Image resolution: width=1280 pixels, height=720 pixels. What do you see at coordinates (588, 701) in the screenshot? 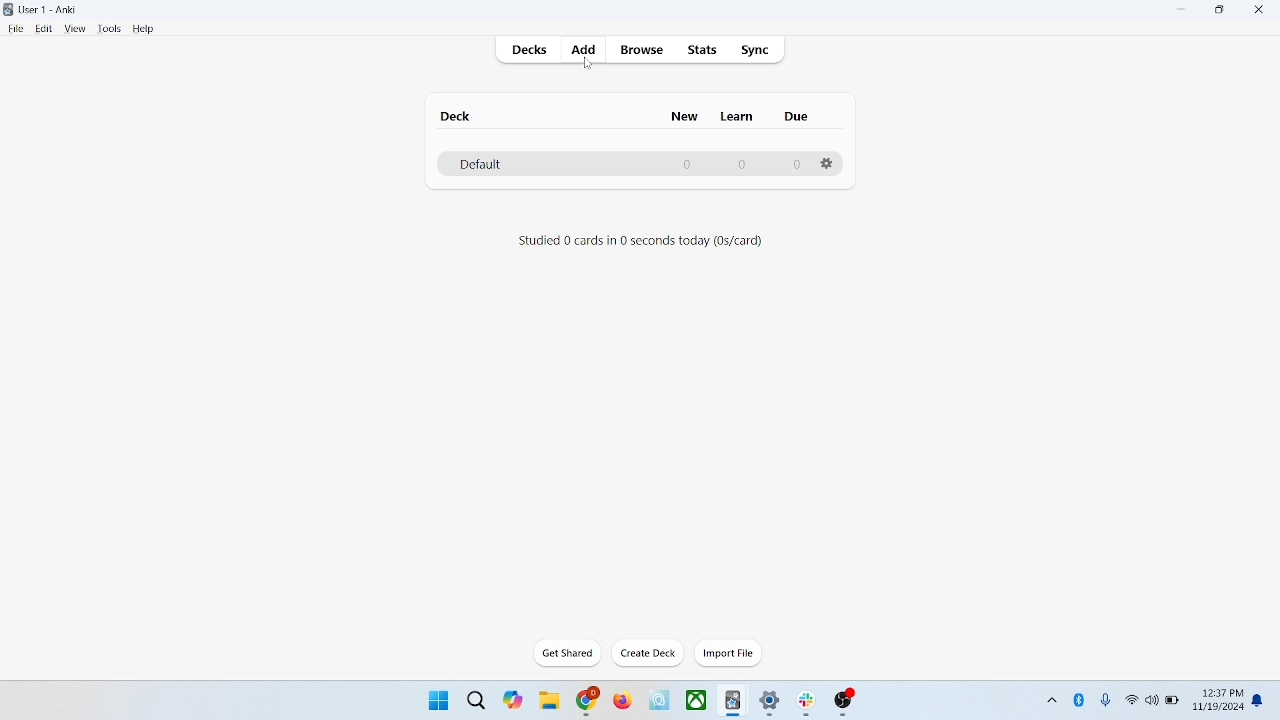
I see `chrome` at bounding box center [588, 701].